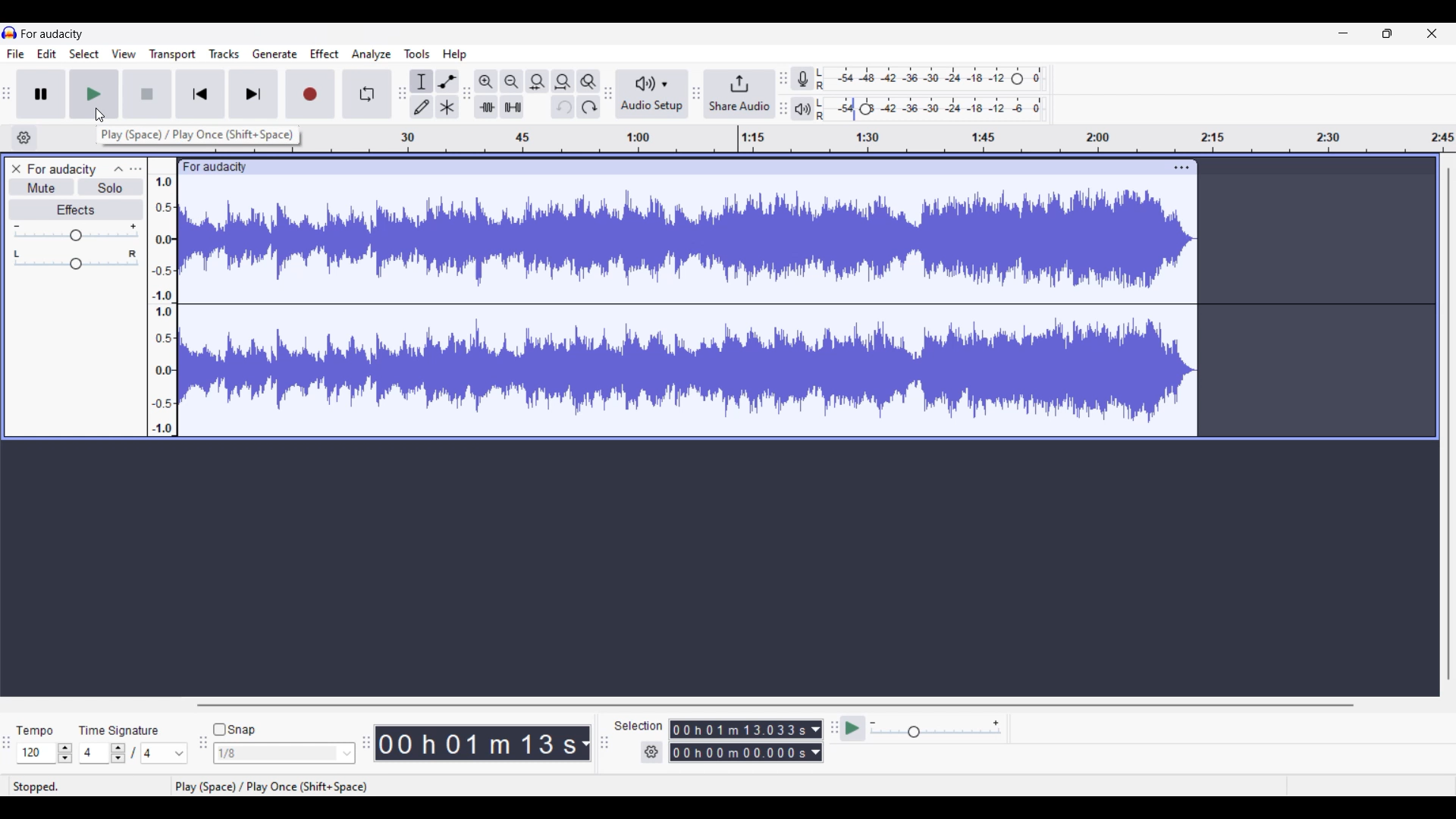 The height and width of the screenshot is (819, 1456). What do you see at coordinates (1448, 425) in the screenshot?
I see `Vertical slide bar` at bounding box center [1448, 425].